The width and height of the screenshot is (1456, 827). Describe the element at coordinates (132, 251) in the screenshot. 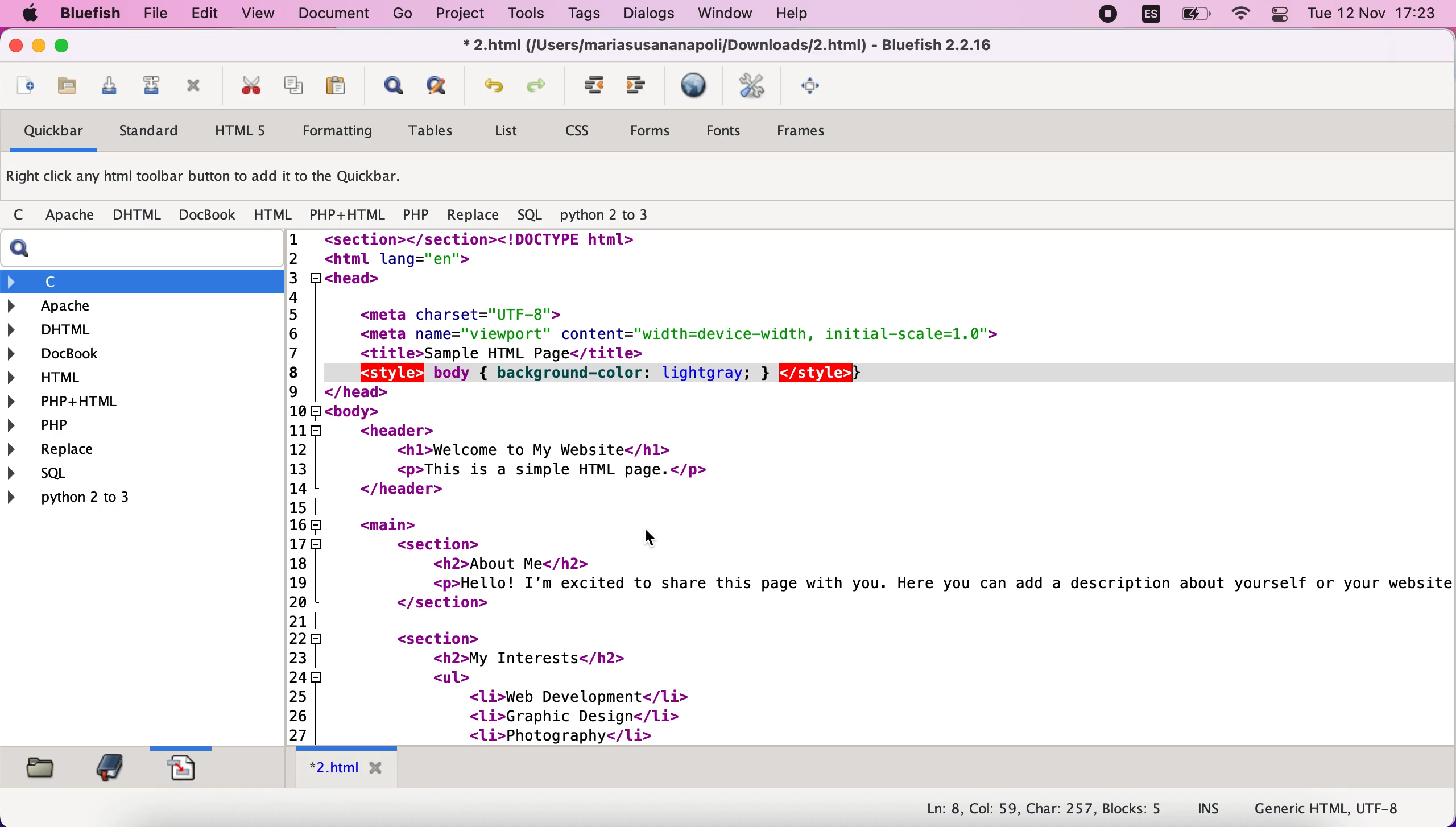

I see `search bar` at that location.